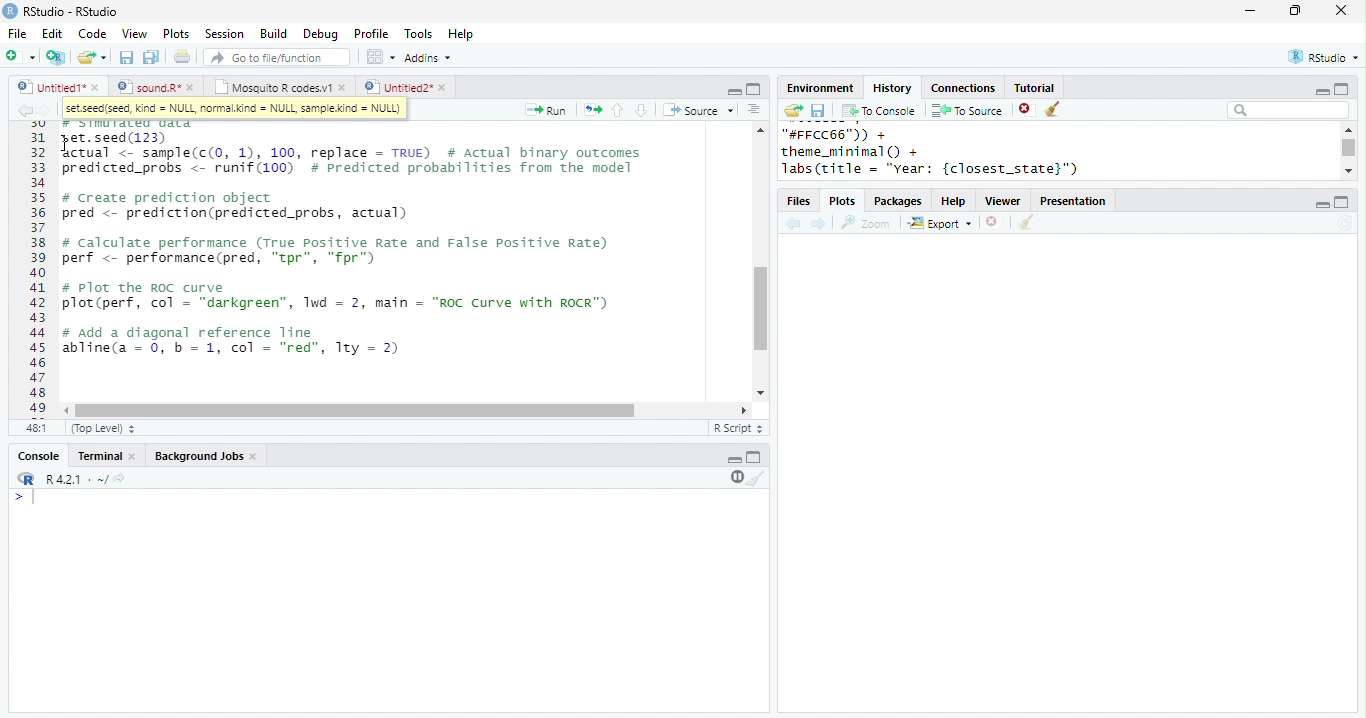 This screenshot has width=1366, height=718. I want to click on R Script, so click(739, 427).